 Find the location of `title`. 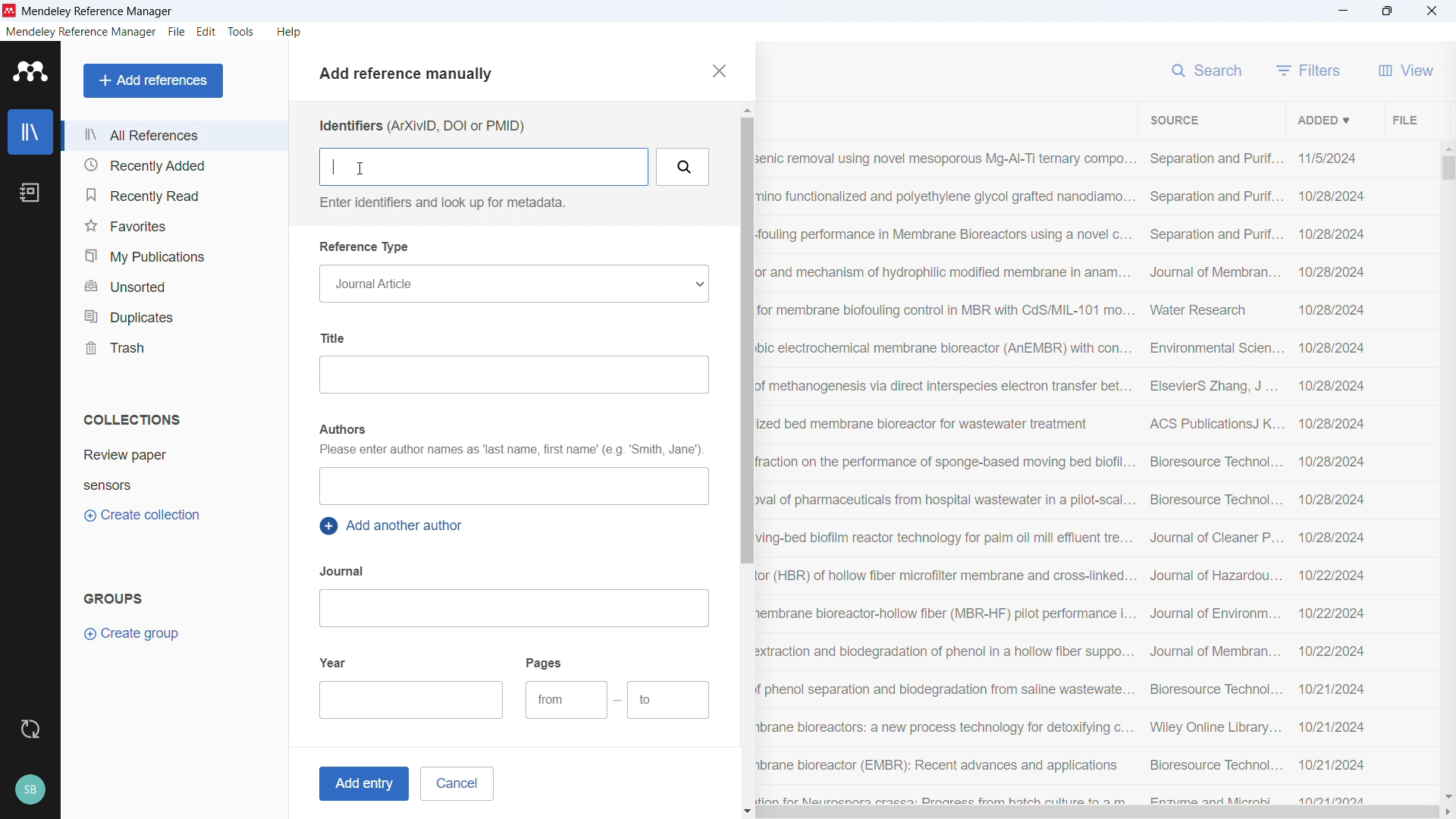

title is located at coordinates (99, 12).